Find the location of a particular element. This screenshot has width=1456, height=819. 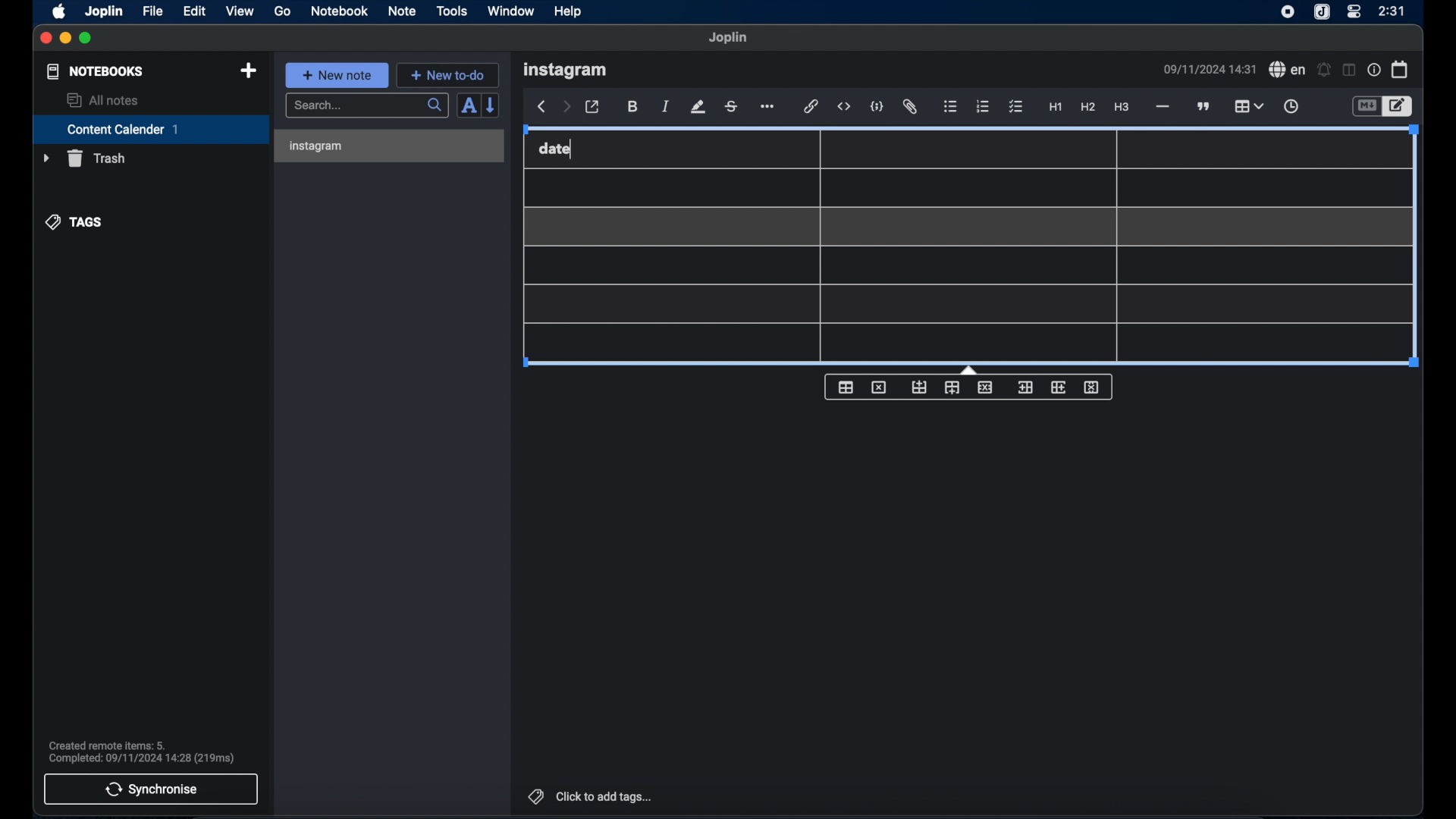

go is located at coordinates (284, 11).